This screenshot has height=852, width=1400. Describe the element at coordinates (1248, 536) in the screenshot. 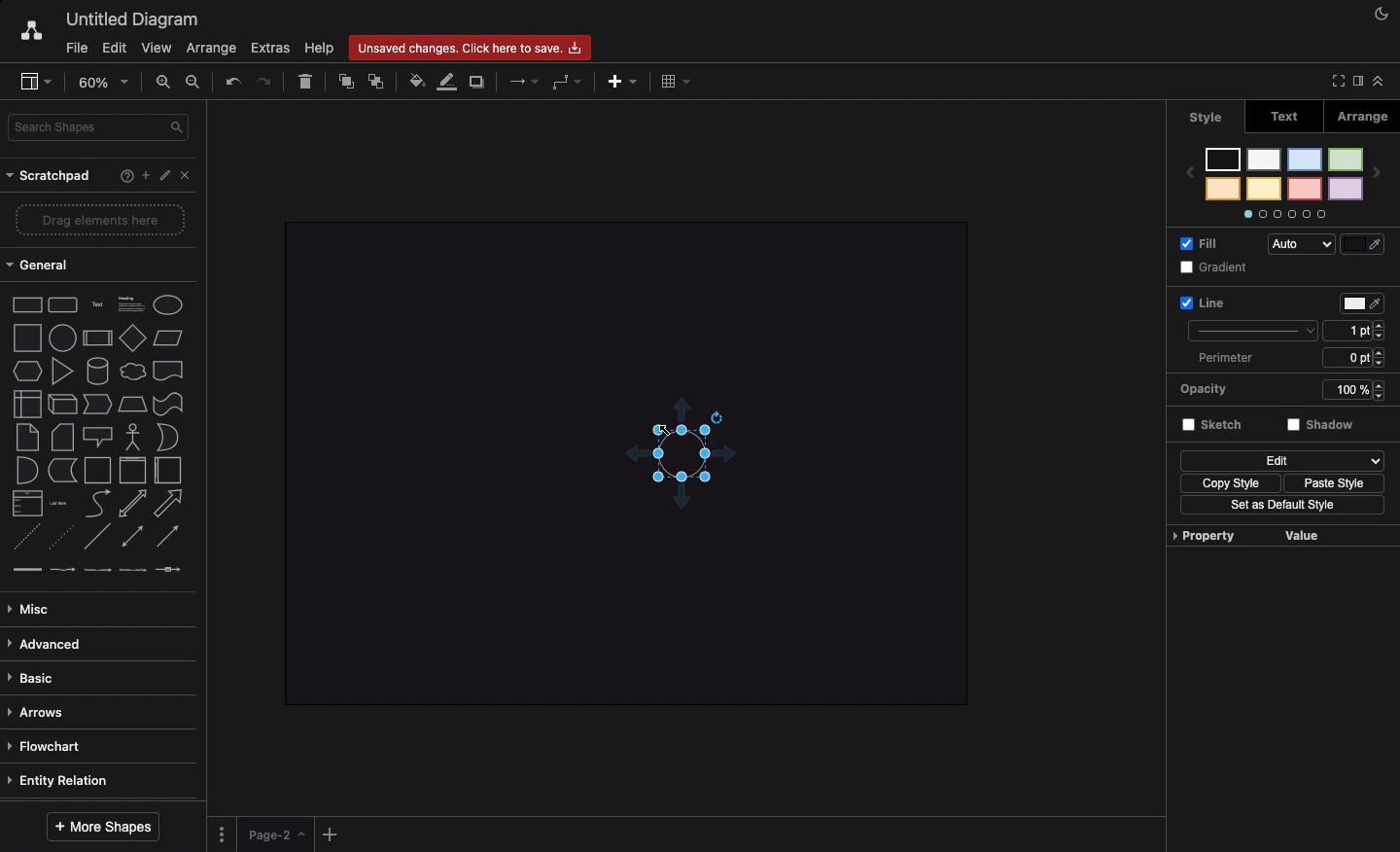

I see `Property value` at that location.